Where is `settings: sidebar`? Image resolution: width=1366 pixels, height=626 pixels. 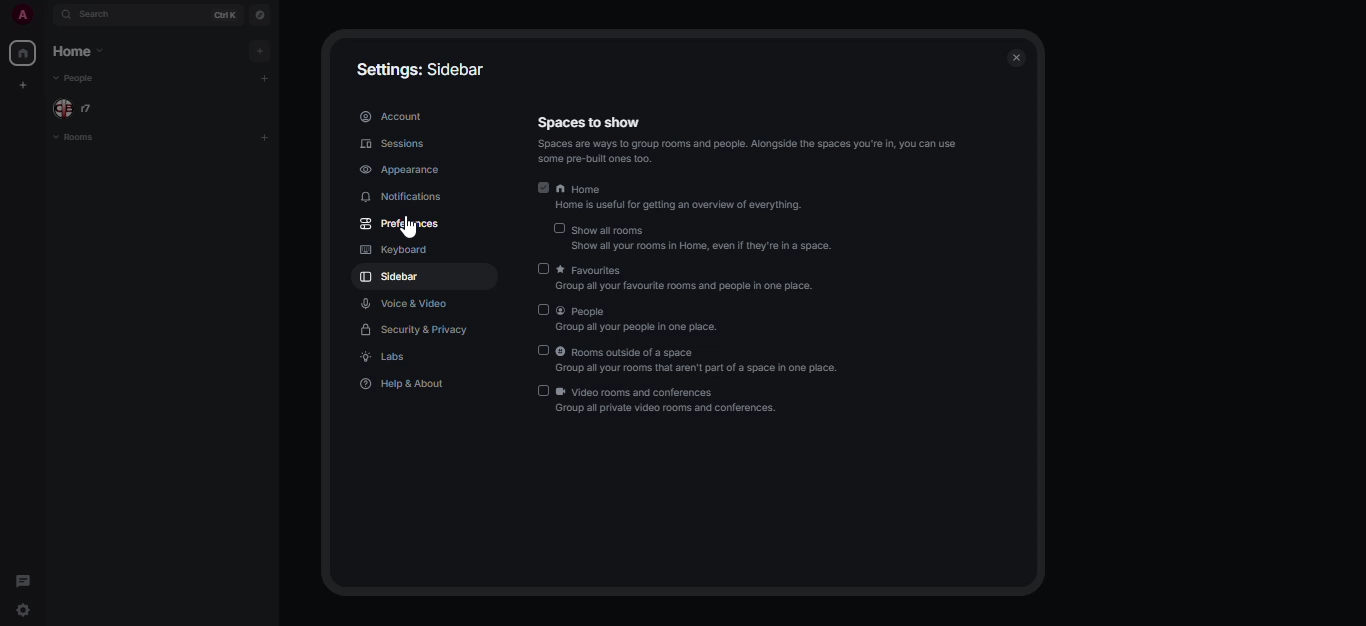 settings: sidebar is located at coordinates (422, 68).